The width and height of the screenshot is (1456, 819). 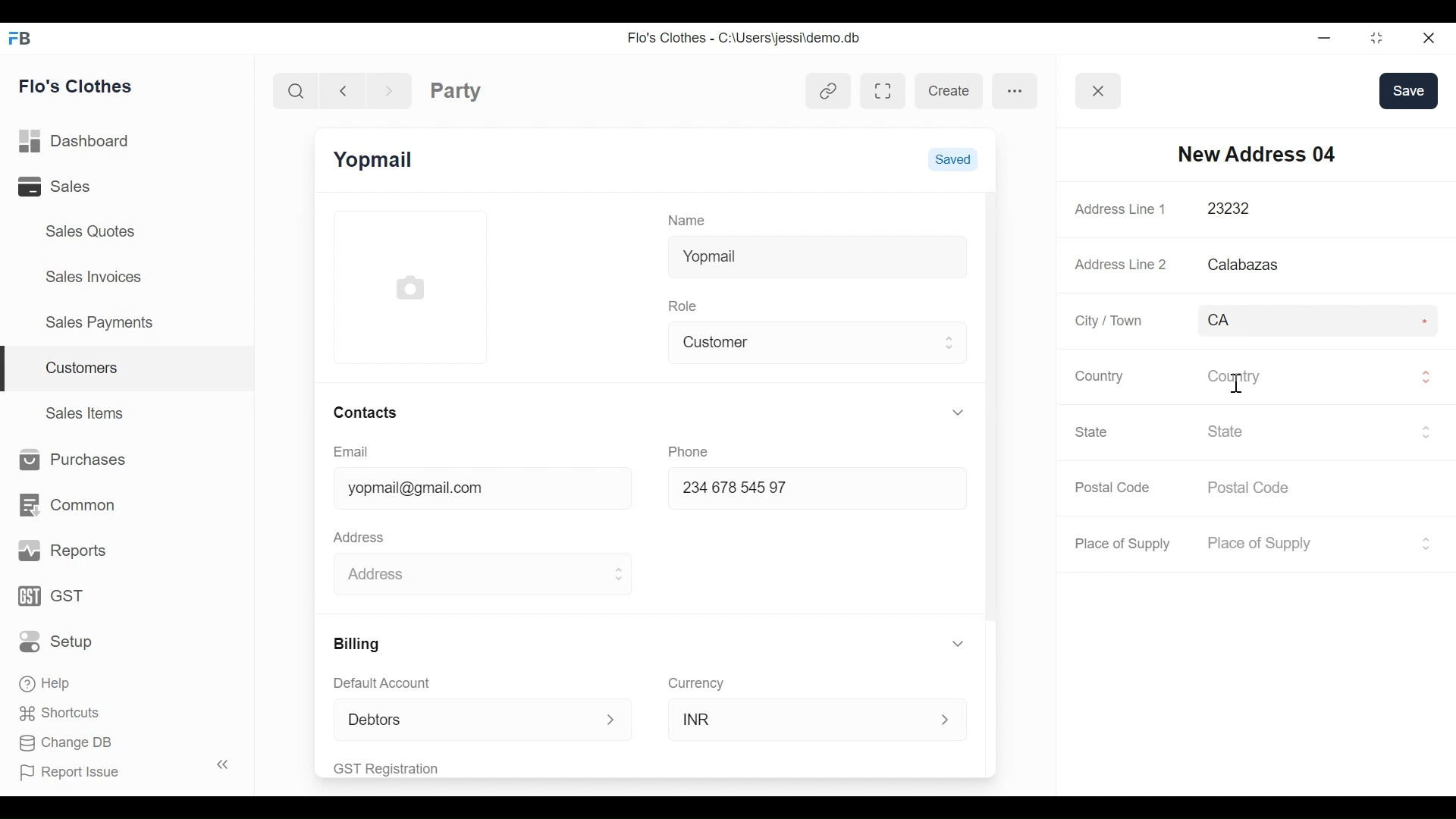 I want to click on create, so click(x=948, y=91).